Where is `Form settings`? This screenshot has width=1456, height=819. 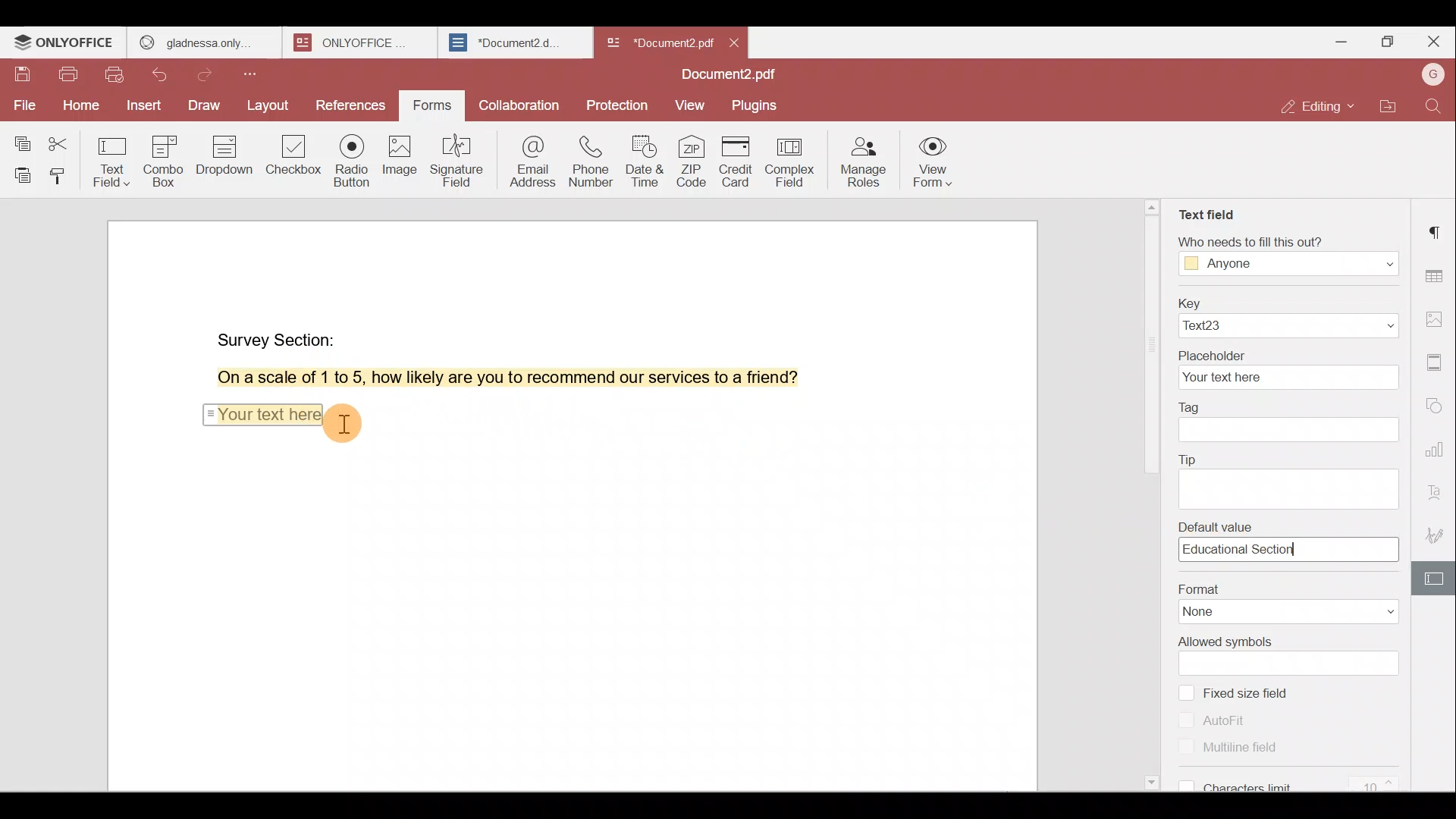 Form settings is located at coordinates (1429, 579).